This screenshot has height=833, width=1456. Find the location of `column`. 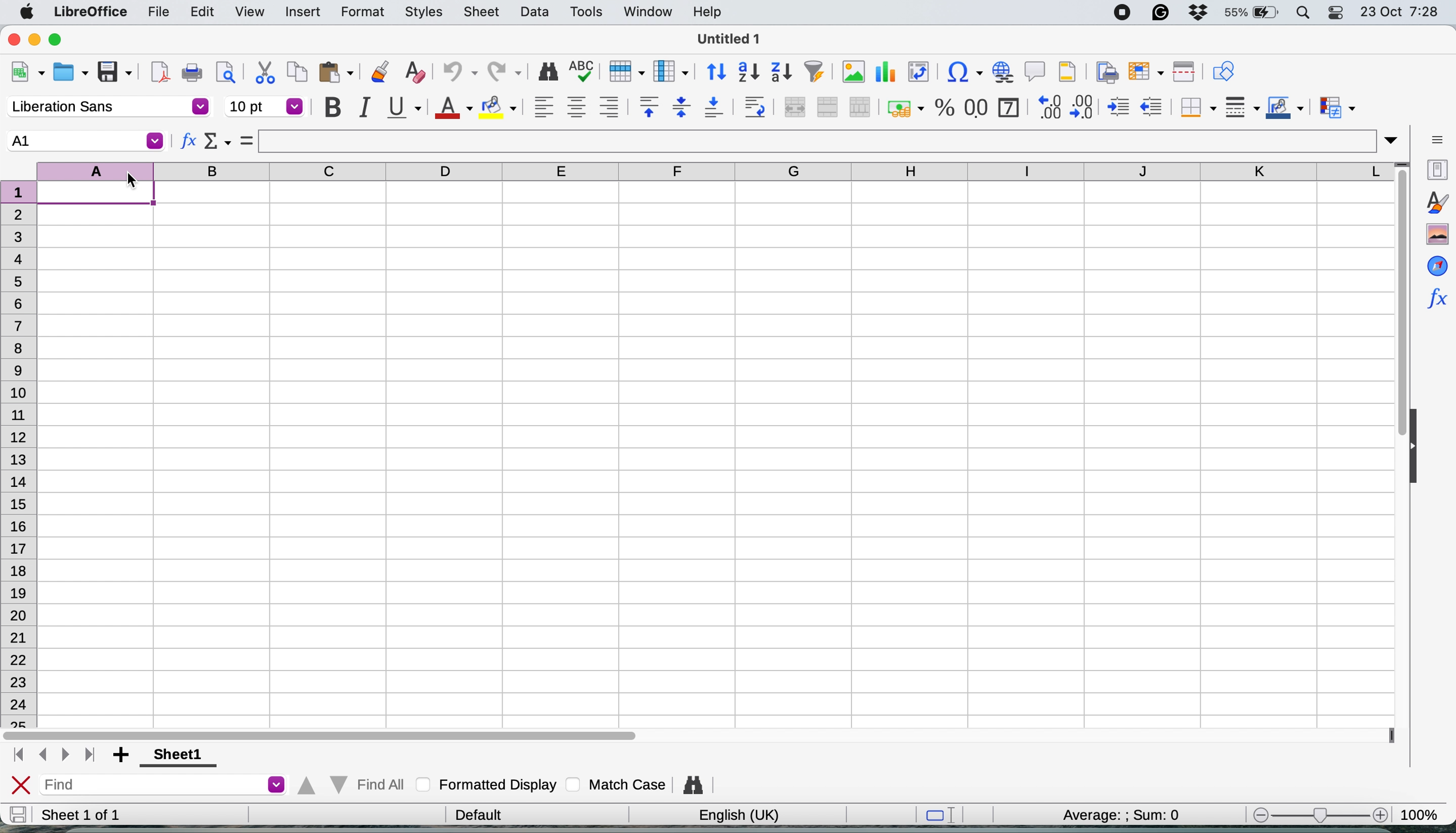

column is located at coordinates (672, 71).